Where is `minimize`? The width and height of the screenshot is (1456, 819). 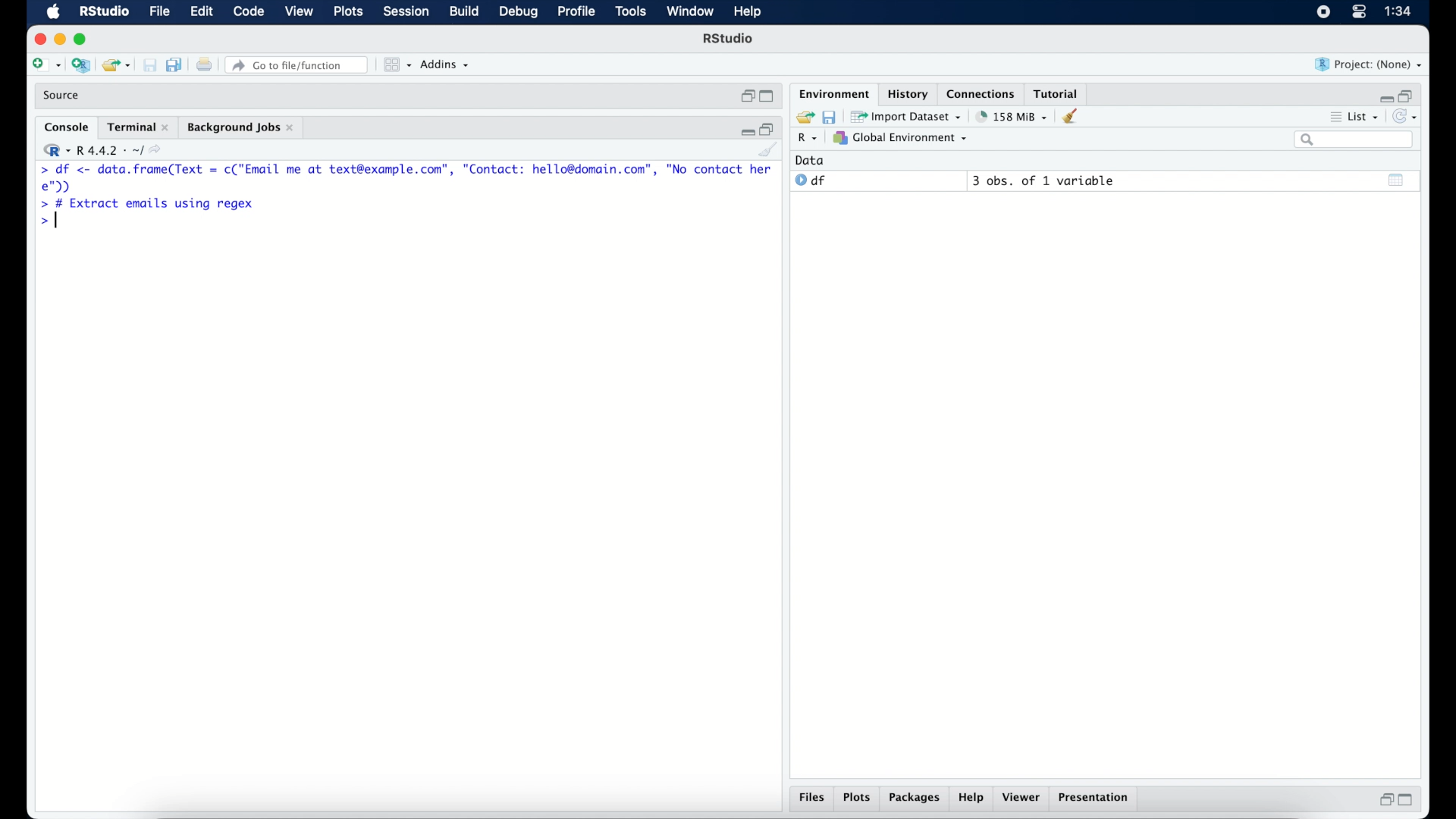
minimize is located at coordinates (59, 40).